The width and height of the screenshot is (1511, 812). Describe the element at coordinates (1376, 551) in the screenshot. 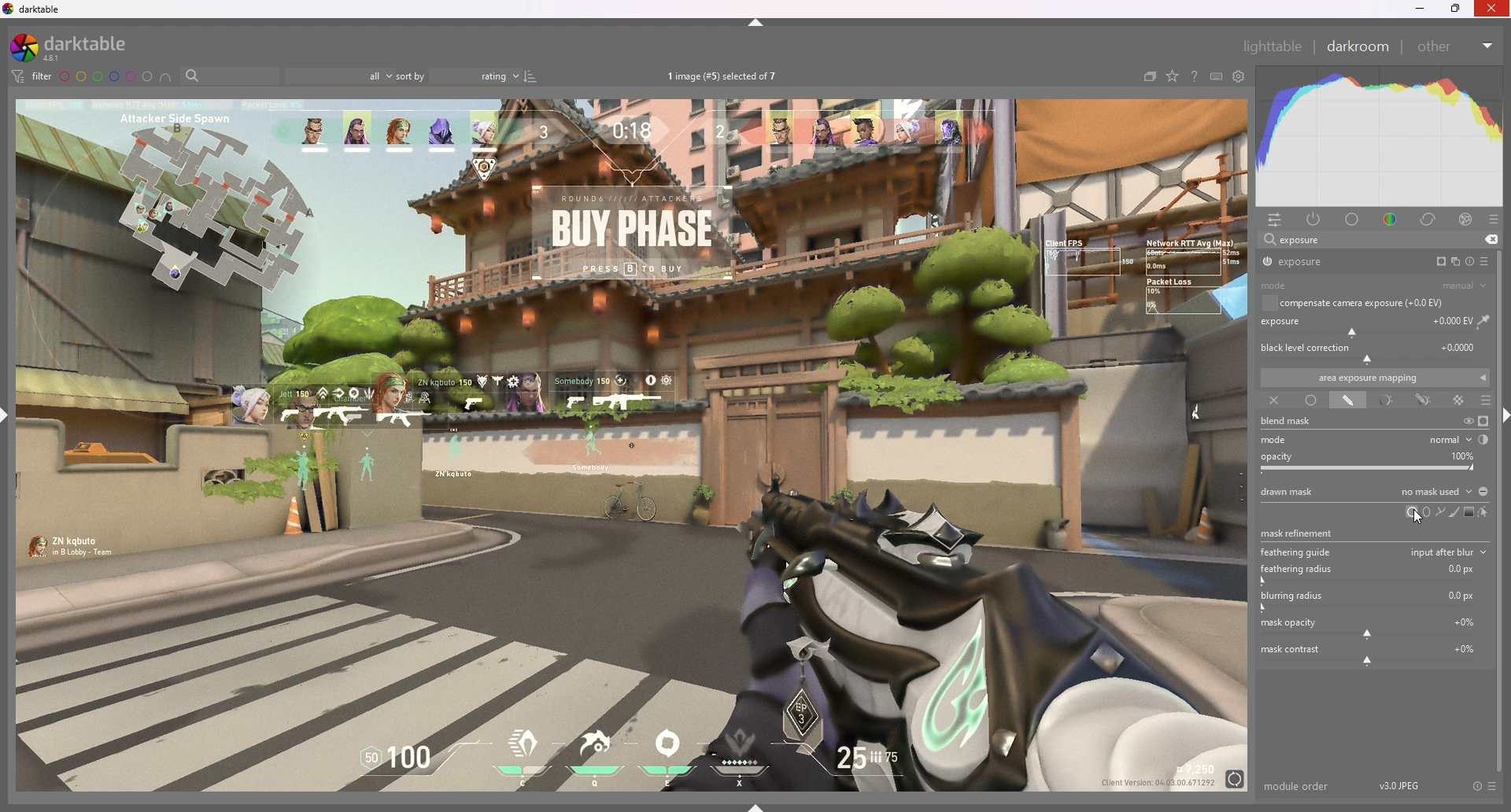

I see `feathering guide` at that location.